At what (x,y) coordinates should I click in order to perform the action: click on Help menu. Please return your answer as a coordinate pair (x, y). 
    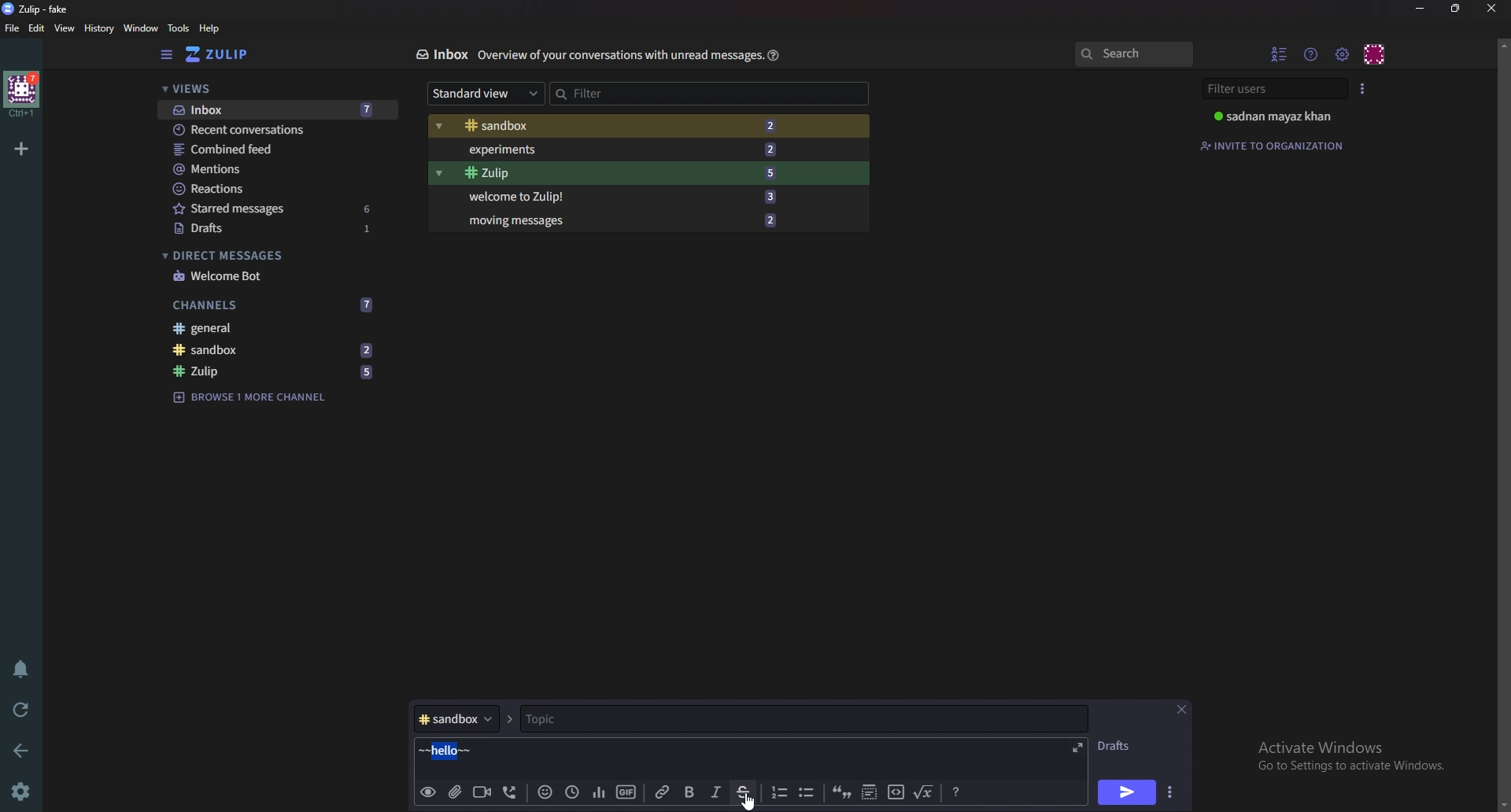
    Looking at the image, I should click on (1313, 54).